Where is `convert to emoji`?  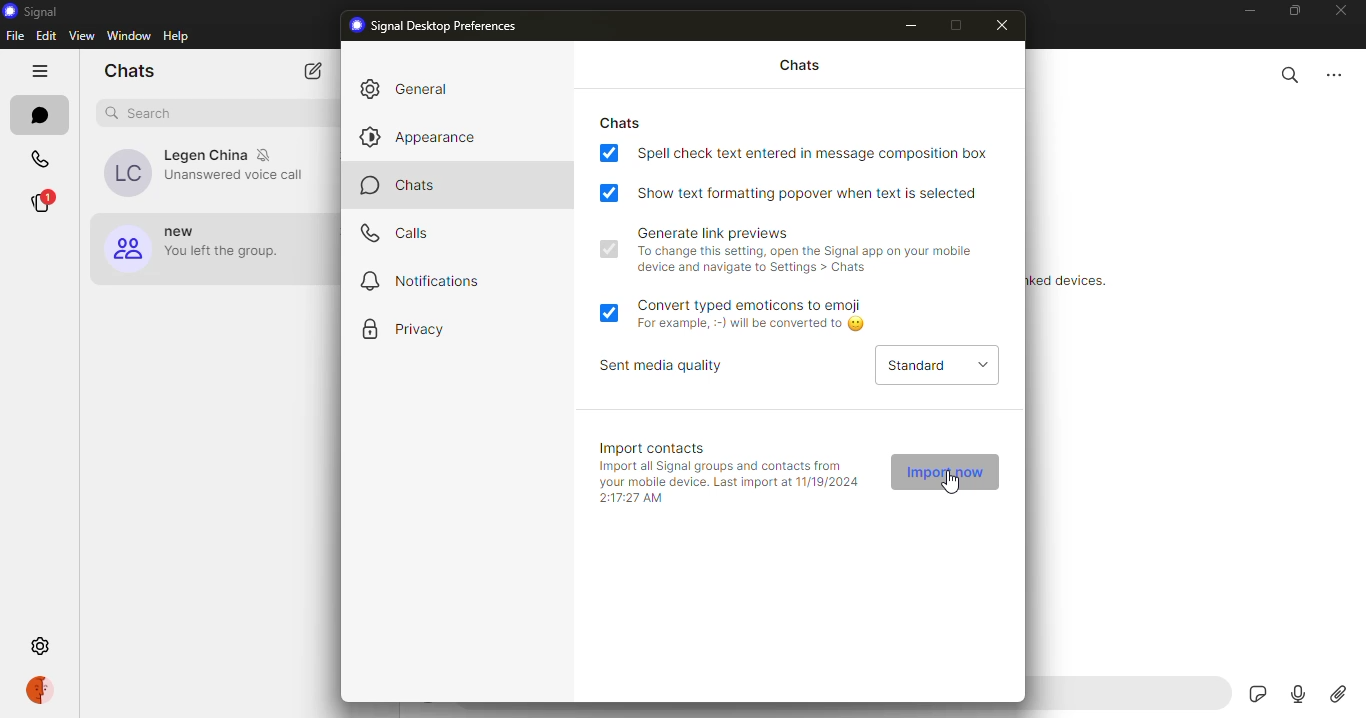
convert to emoji is located at coordinates (757, 306).